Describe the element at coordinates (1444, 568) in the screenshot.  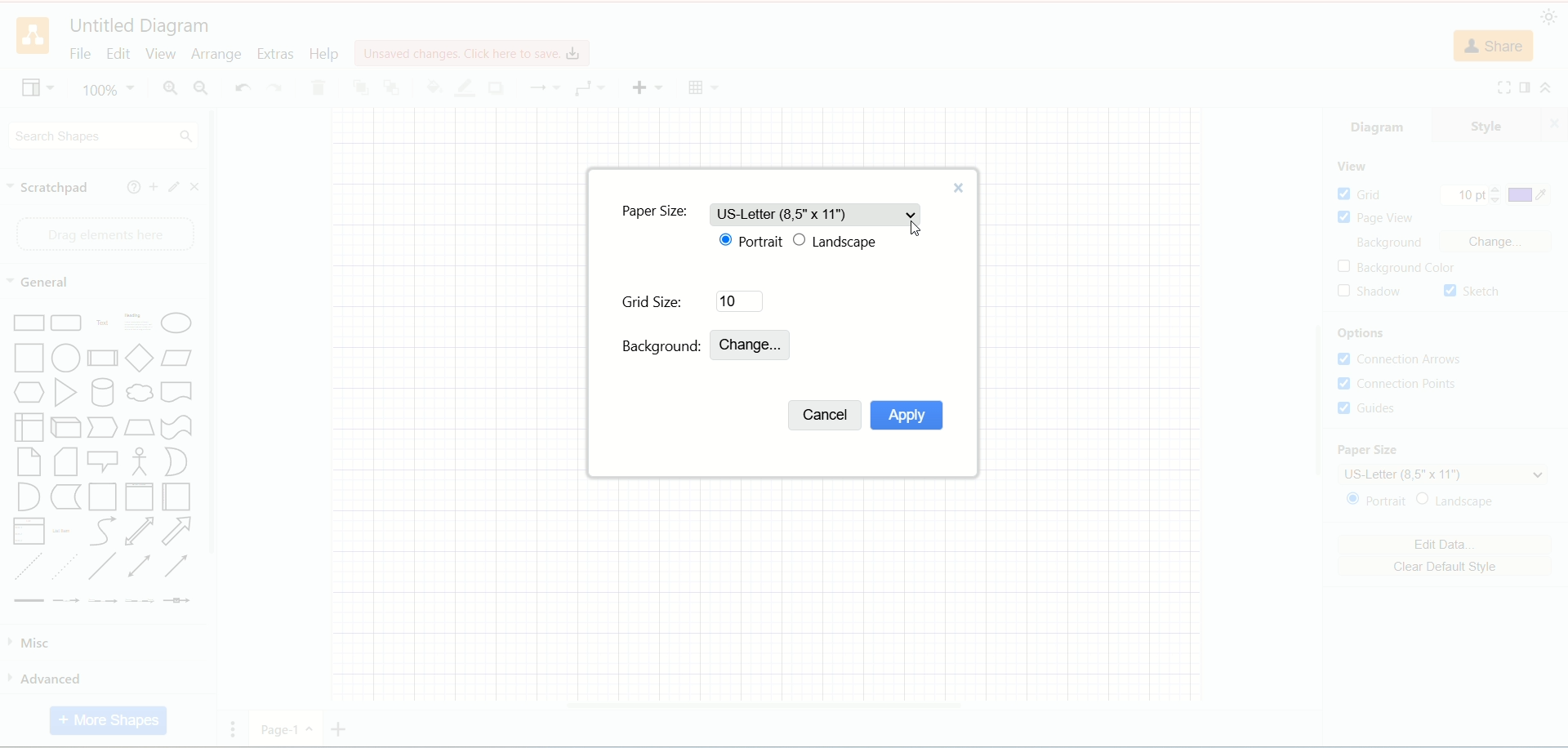
I see `clear default style` at that location.